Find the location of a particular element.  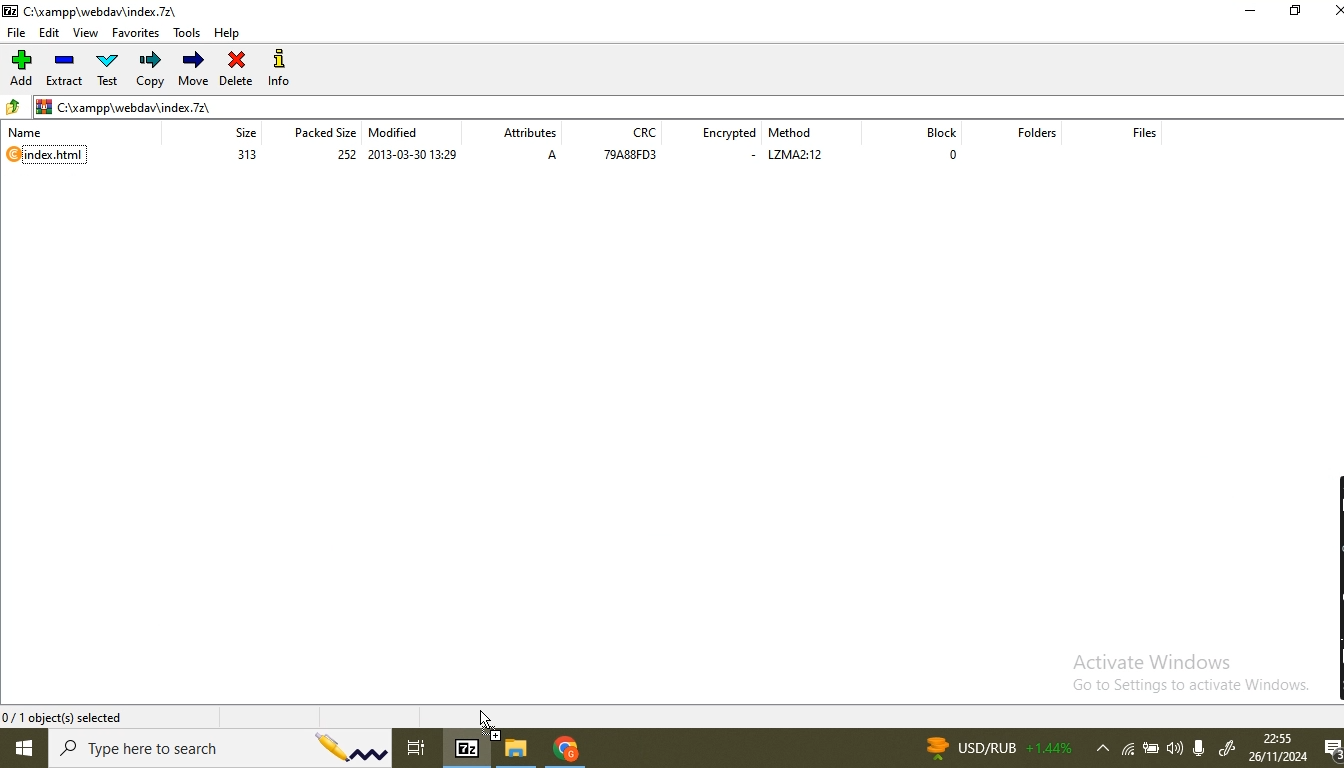

2013-03-3- 13:29 is located at coordinates (416, 156).